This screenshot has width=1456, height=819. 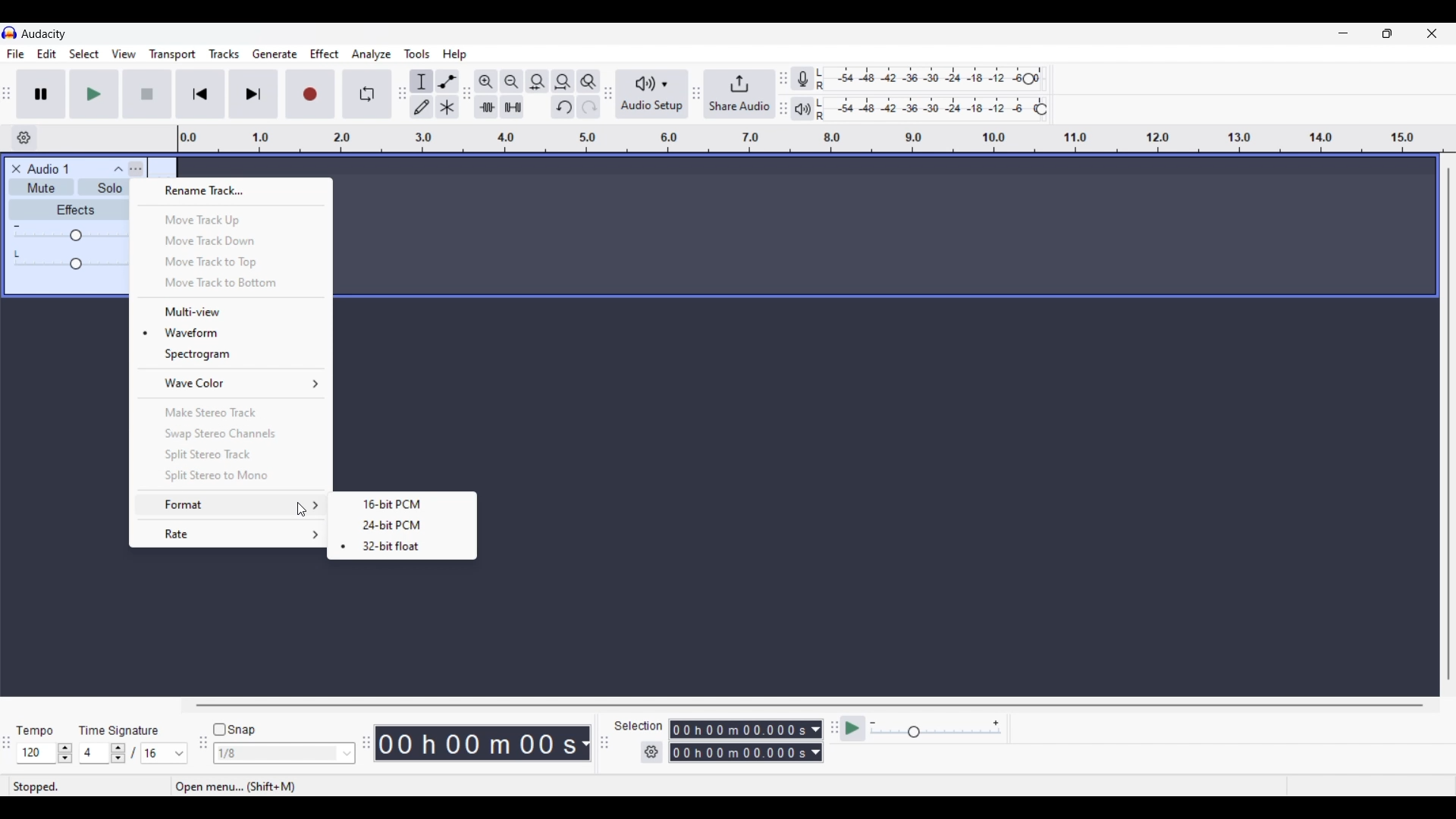 What do you see at coordinates (36, 753) in the screenshot?
I see `Selected tempo` at bounding box center [36, 753].